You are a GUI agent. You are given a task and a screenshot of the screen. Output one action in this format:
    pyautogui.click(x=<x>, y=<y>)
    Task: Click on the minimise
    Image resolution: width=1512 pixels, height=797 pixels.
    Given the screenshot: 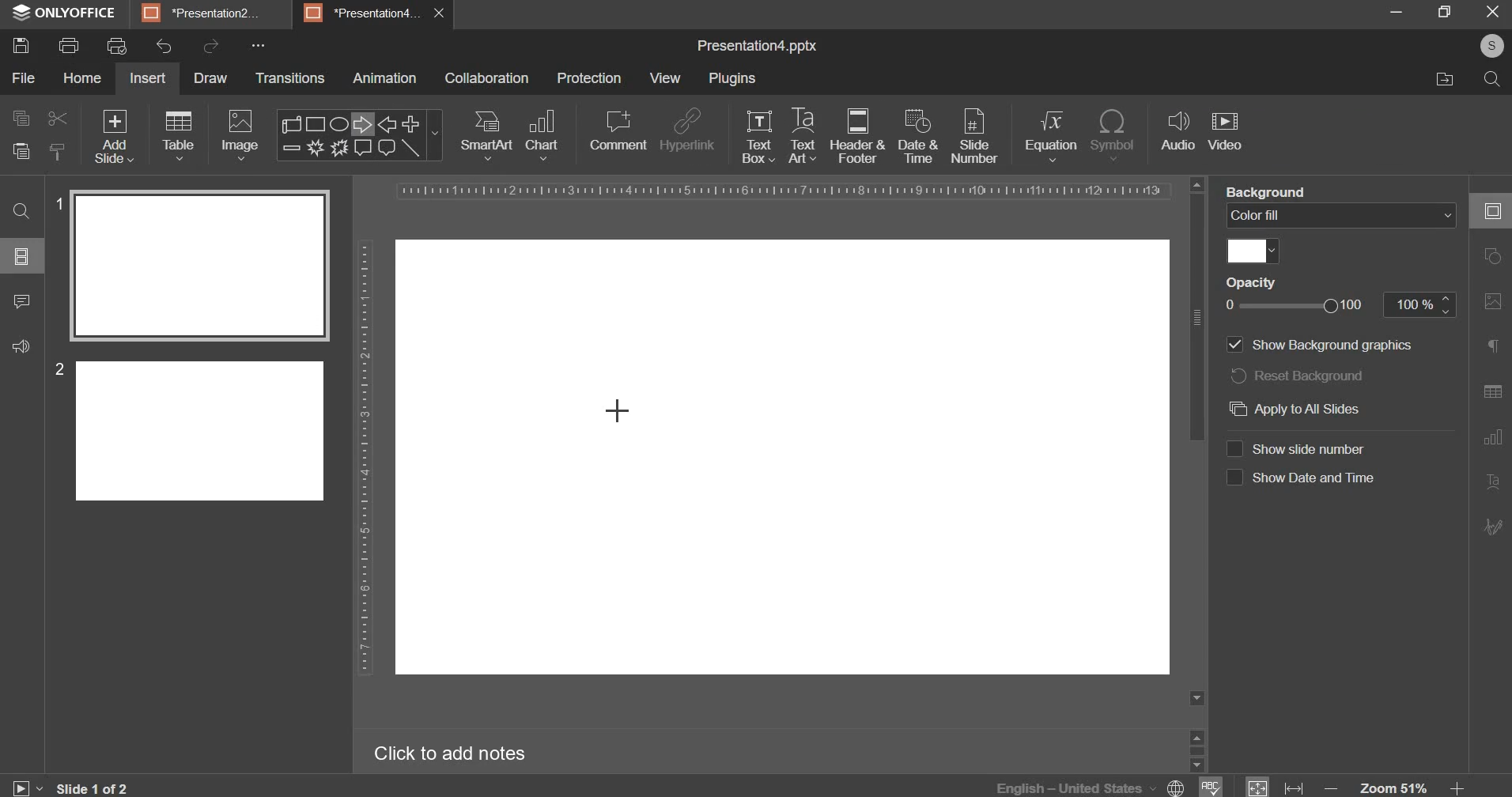 What is the action you would take?
    pyautogui.click(x=1384, y=12)
    